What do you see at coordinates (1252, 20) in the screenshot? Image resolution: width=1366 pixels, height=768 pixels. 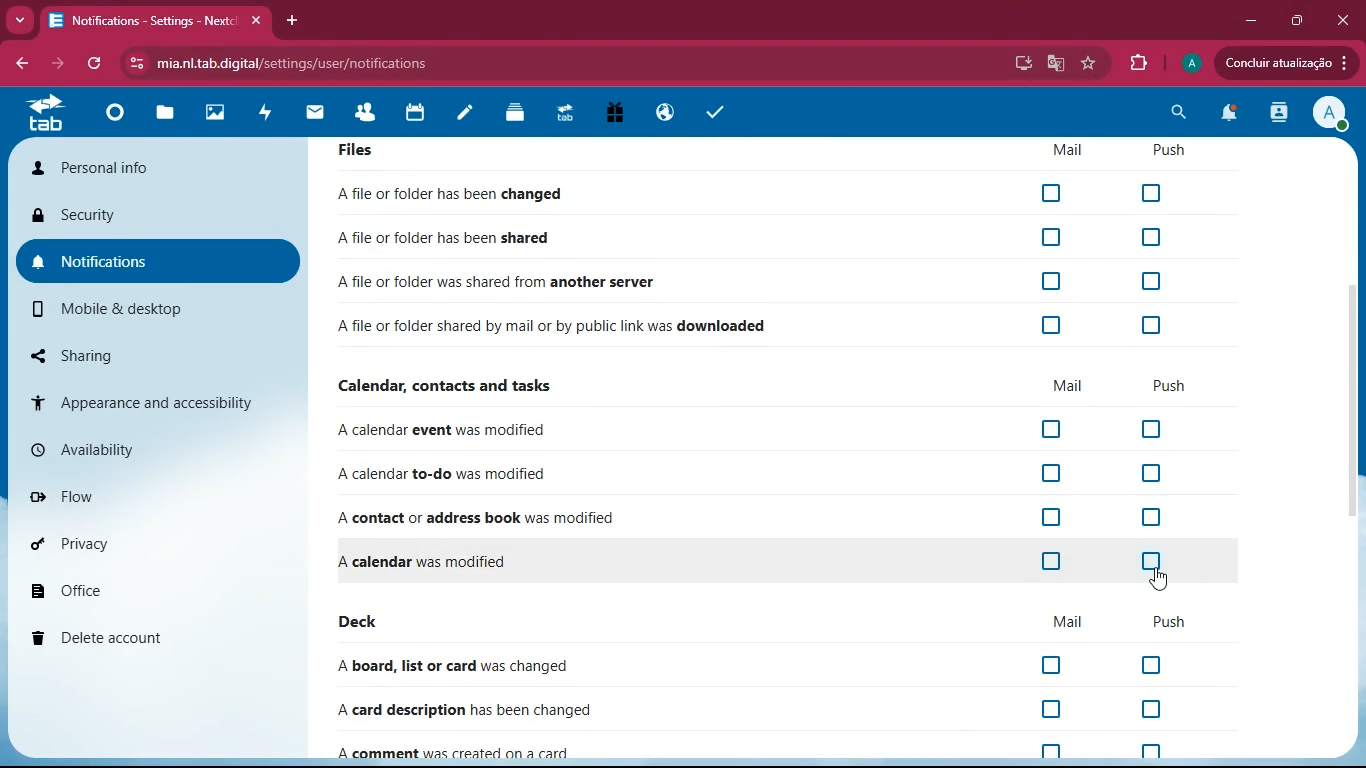 I see `minimize` at bounding box center [1252, 20].